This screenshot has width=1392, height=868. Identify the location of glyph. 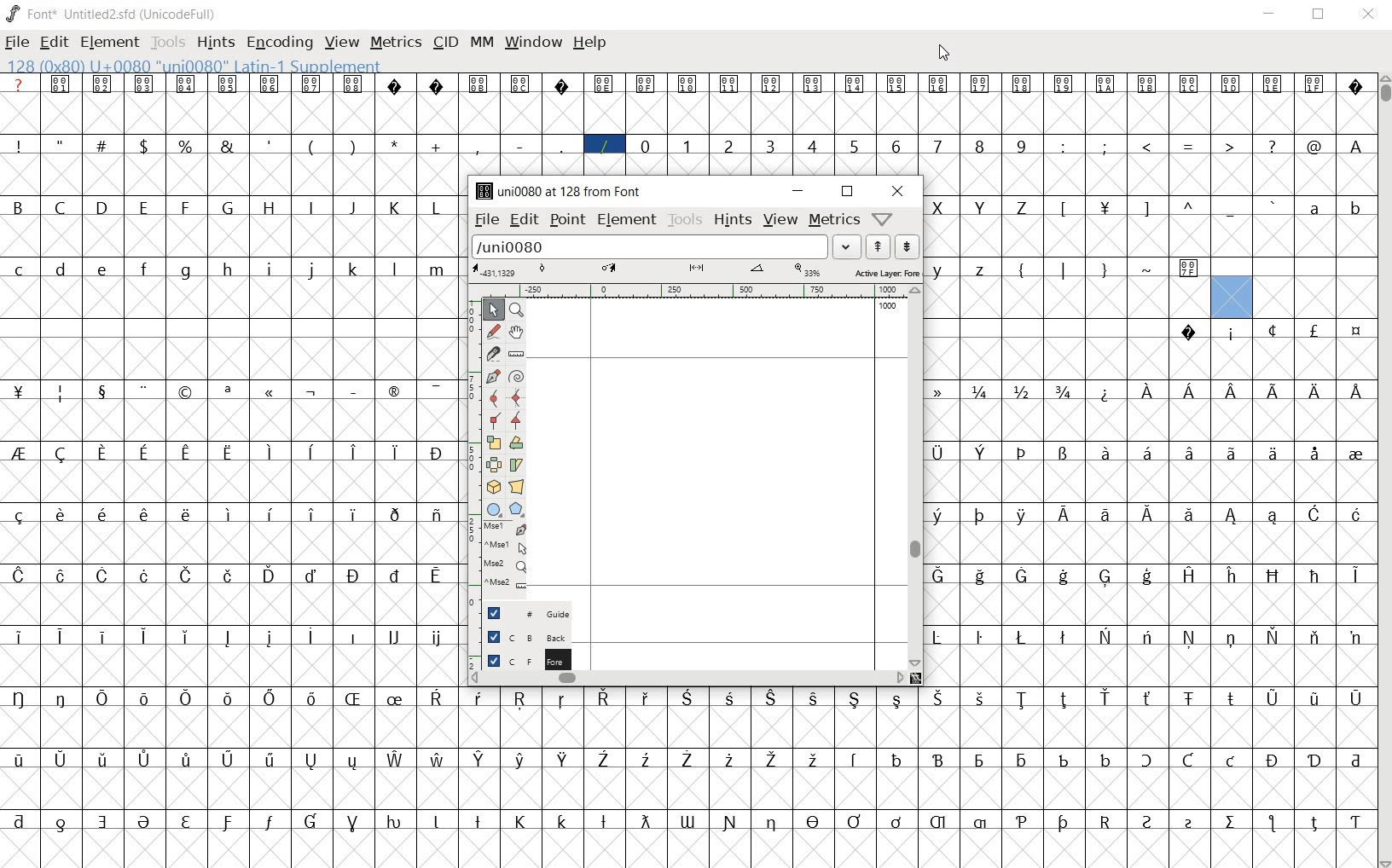
(1063, 637).